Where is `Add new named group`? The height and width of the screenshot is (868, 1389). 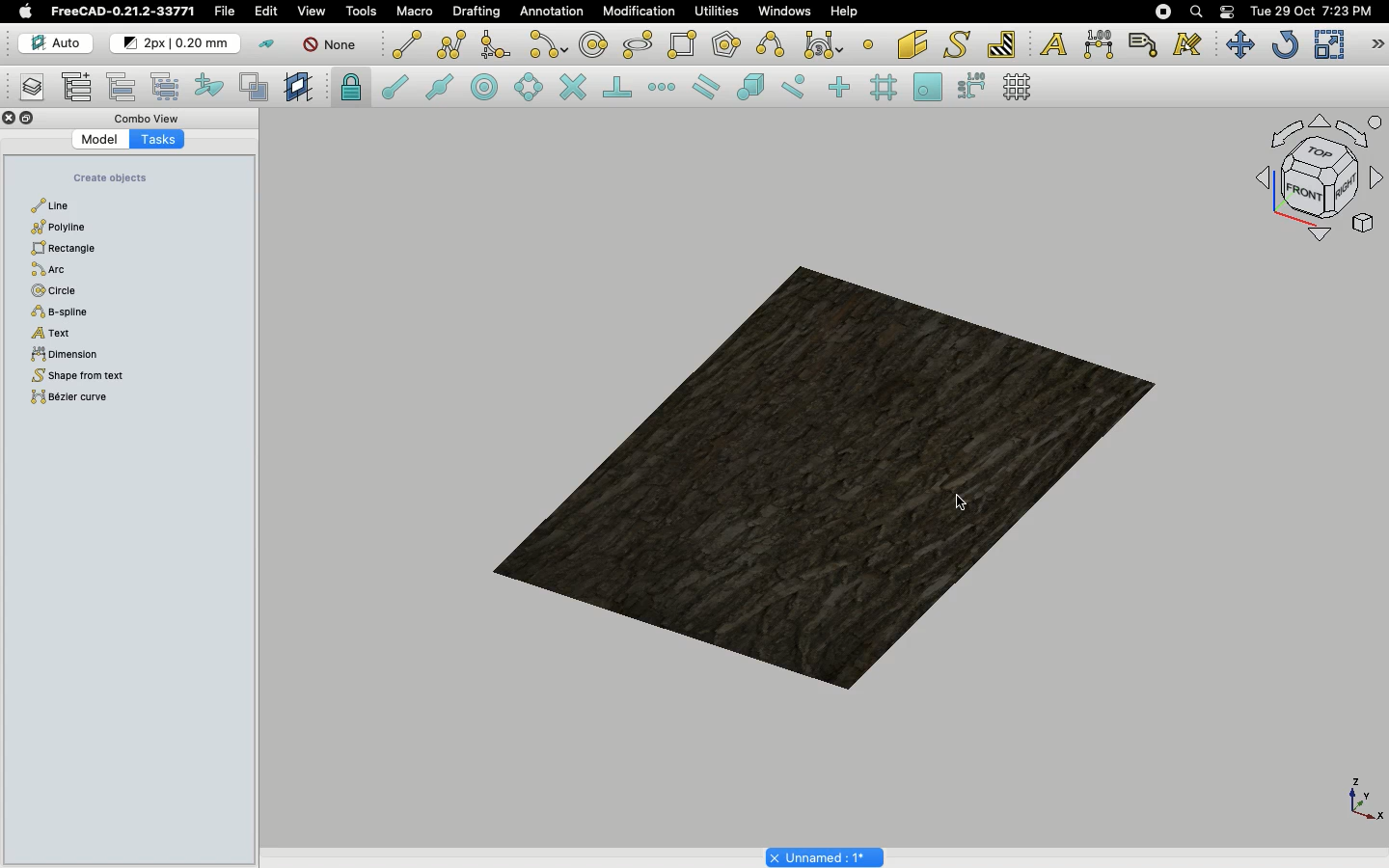
Add new named group is located at coordinates (78, 86).